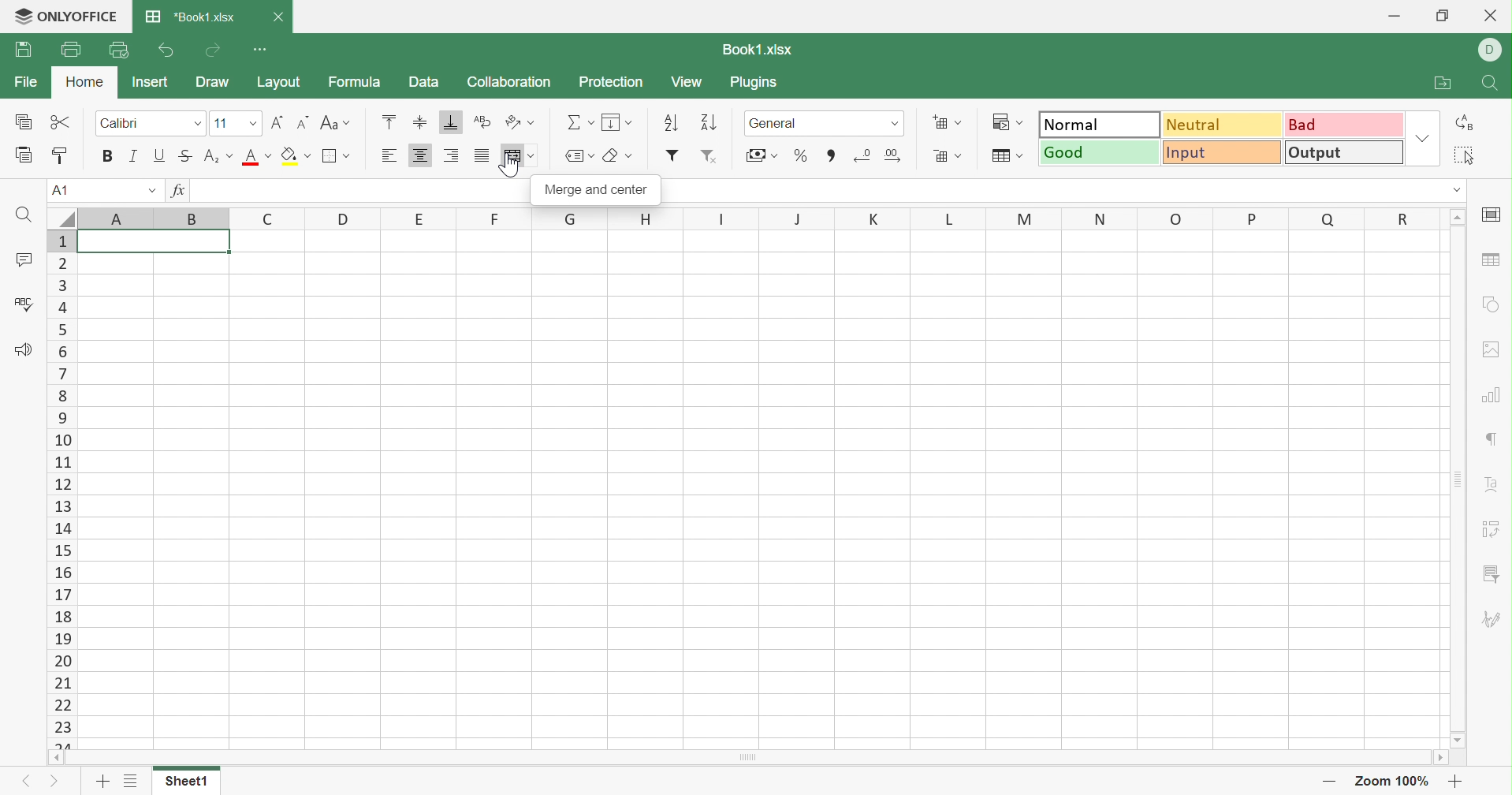 This screenshot has height=795, width=1512. Describe the element at coordinates (863, 153) in the screenshot. I see `Decrease decimal` at that location.